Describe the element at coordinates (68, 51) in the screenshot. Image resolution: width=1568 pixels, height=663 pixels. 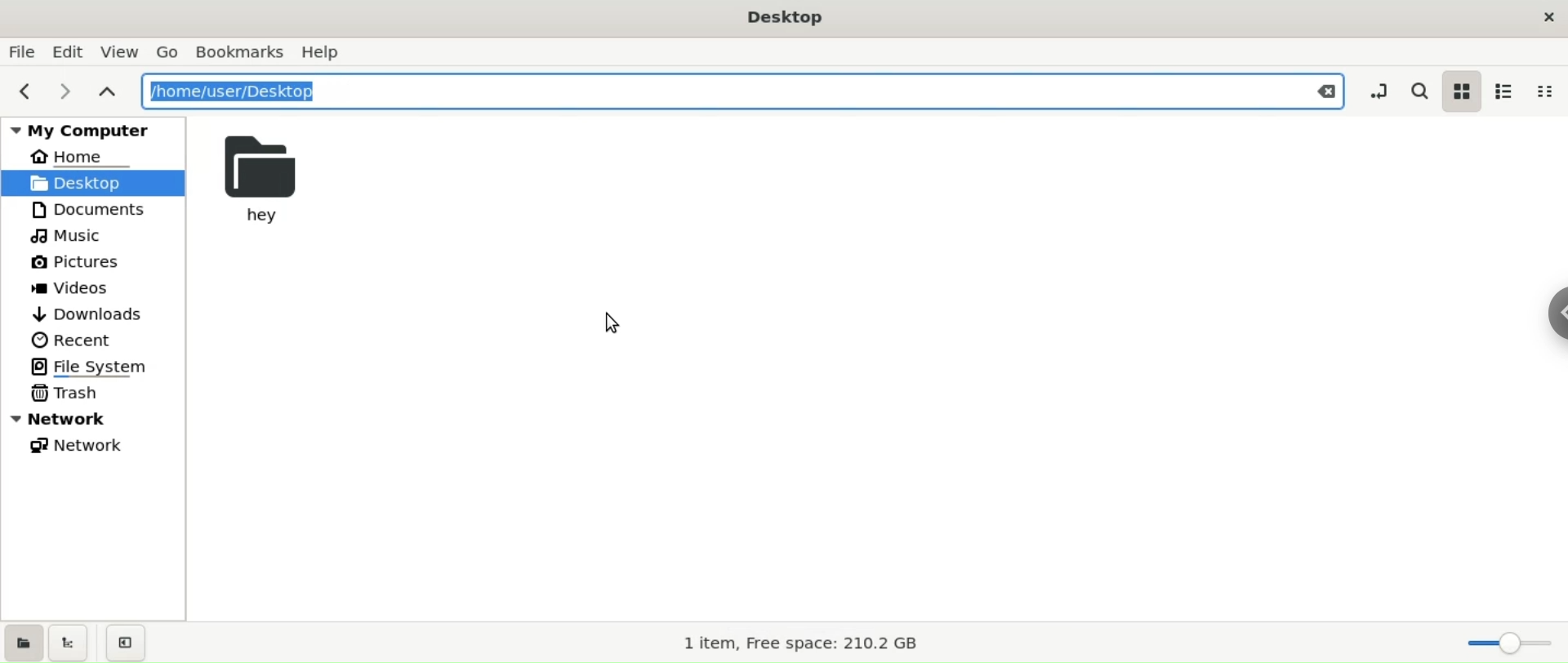
I see `edit` at that location.